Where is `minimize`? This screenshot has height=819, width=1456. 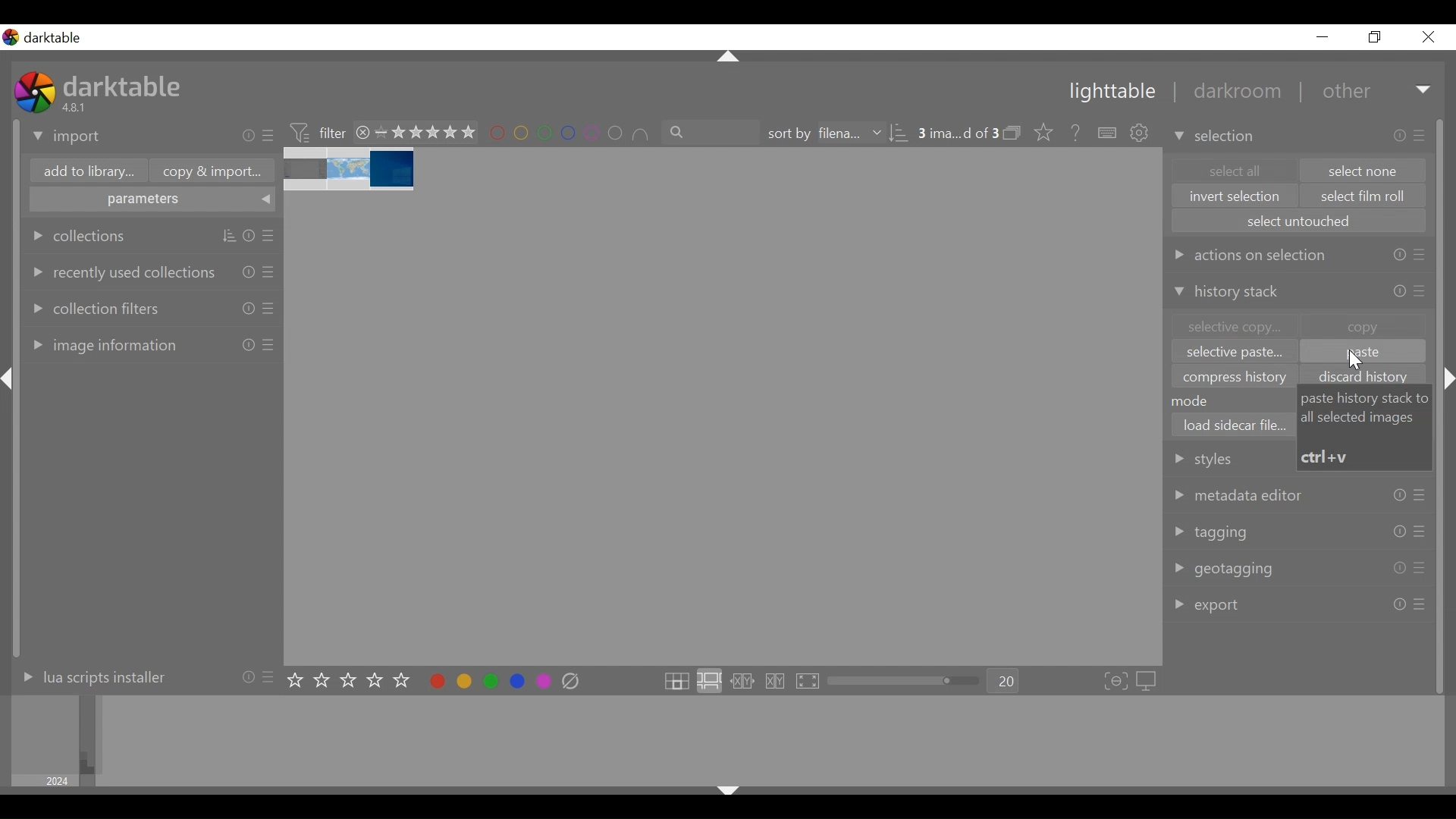
minimize is located at coordinates (1323, 37).